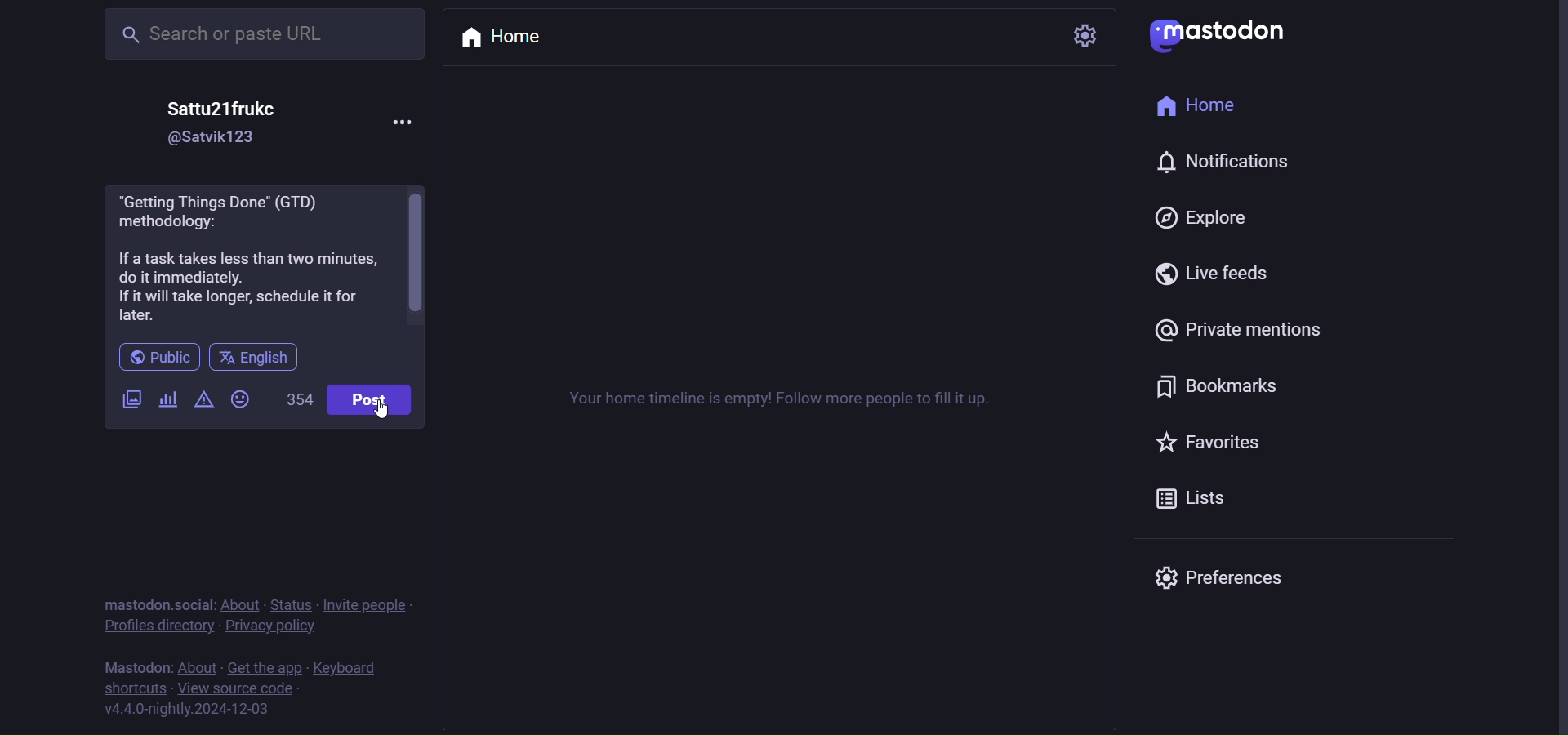 This screenshot has height=735, width=1568. What do you see at coordinates (1223, 387) in the screenshot?
I see `bookmarks` at bounding box center [1223, 387].